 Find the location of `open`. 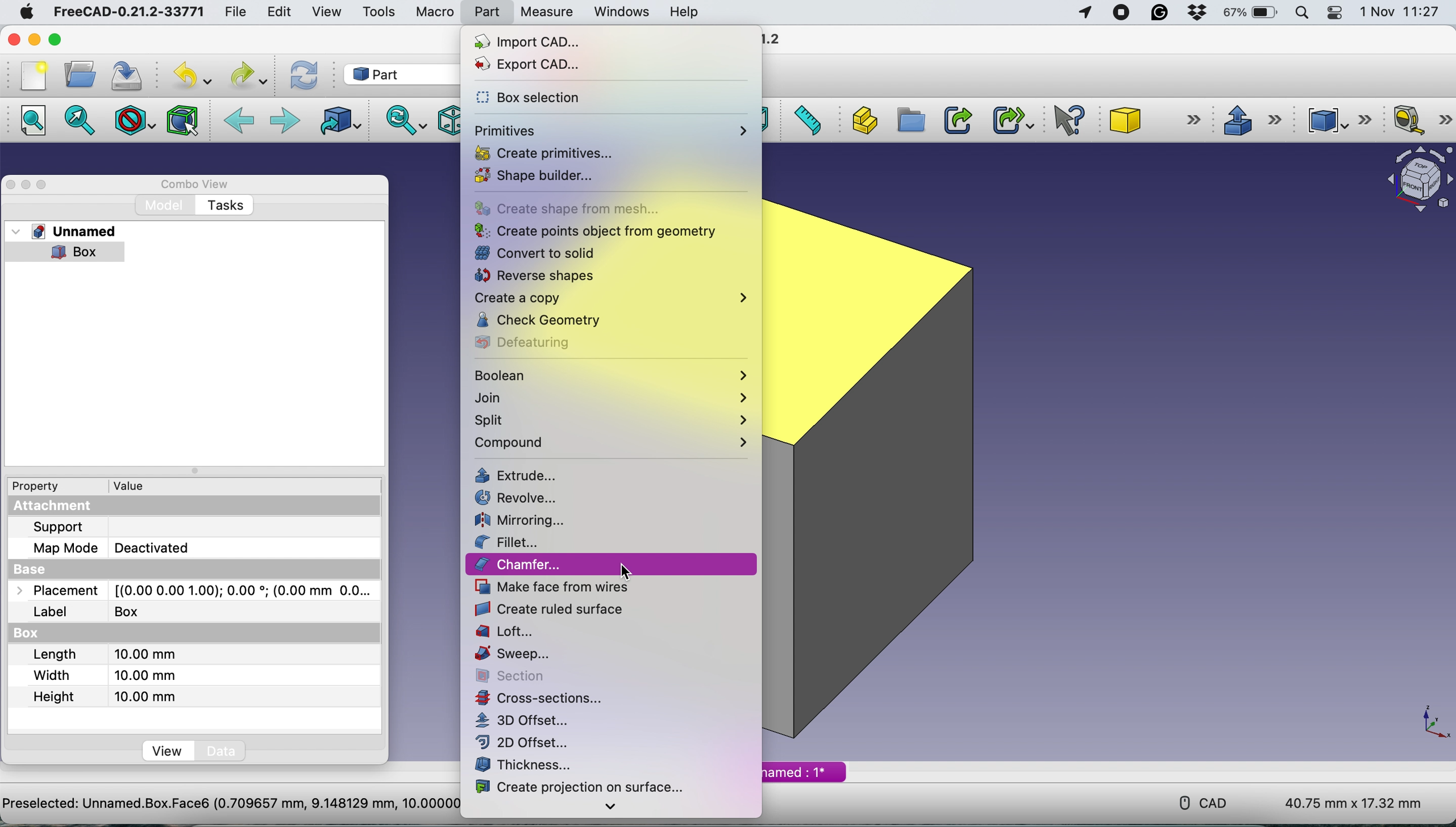

open is located at coordinates (81, 75).